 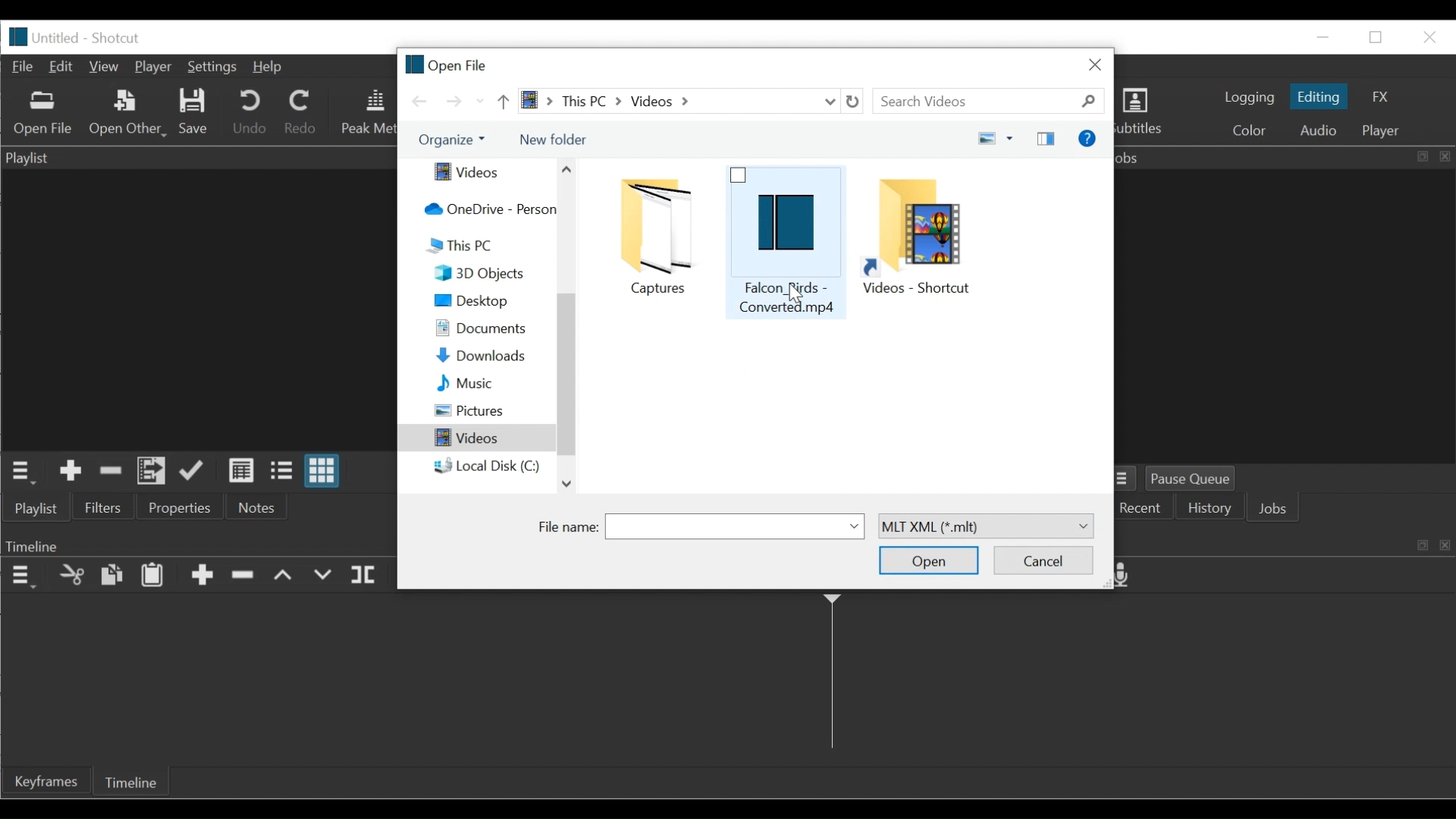 What do you see at coordinates (567, 169) in the screenshot?
I see `Scroll up` at bounding box center [567, 169].